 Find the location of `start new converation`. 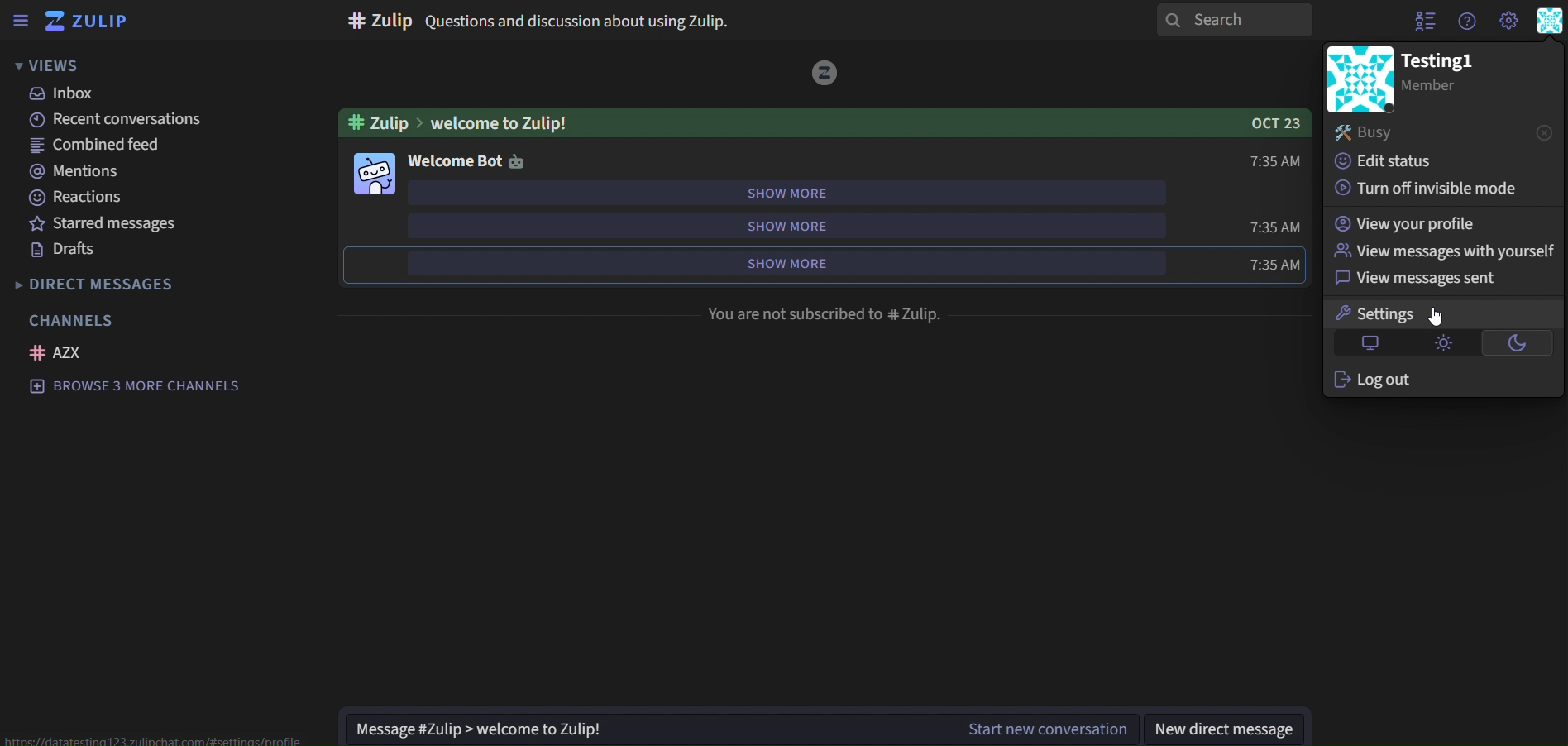

start new converation is located at coordinates (1045, 726).